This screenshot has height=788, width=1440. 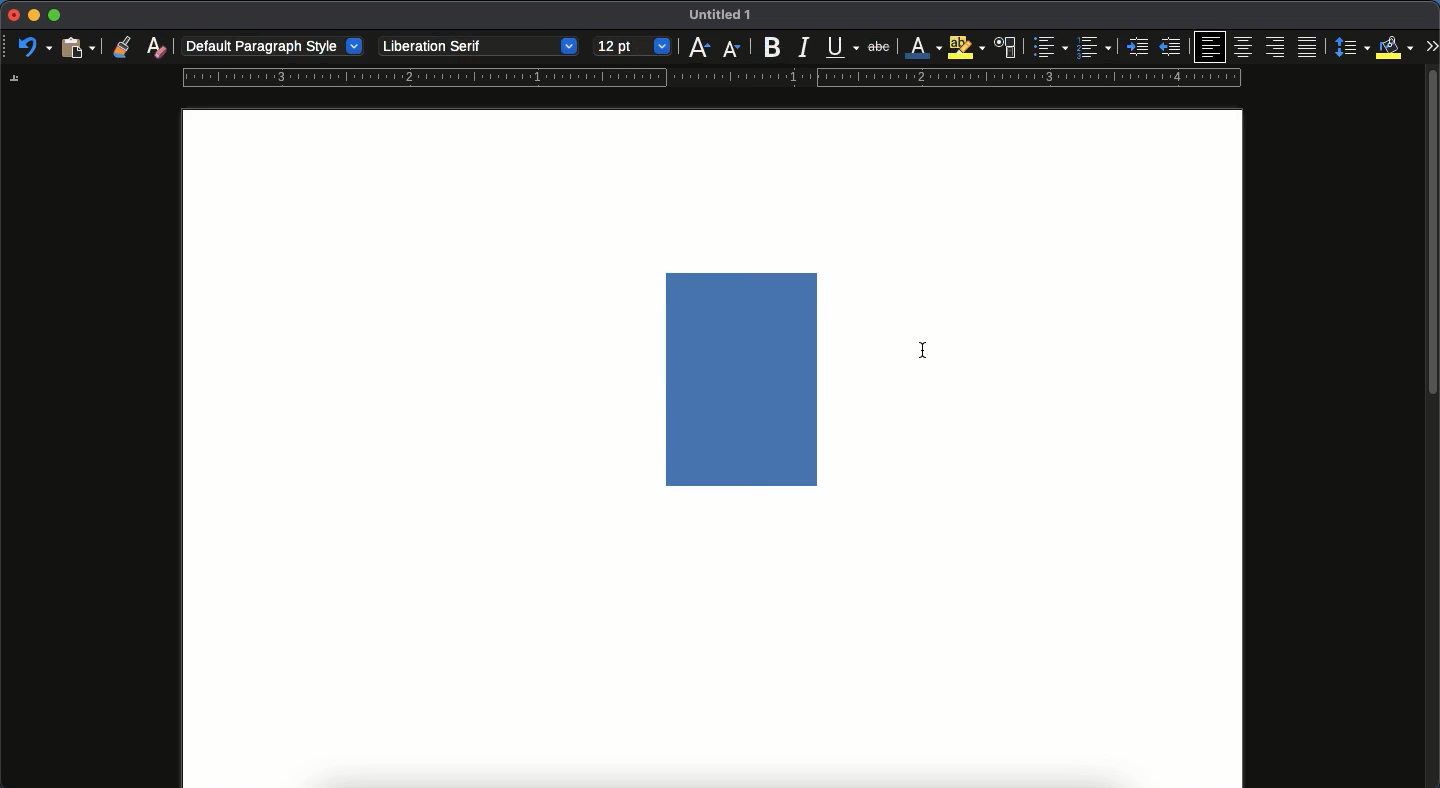 I want to click on maximize, so click(x=54, y=16).